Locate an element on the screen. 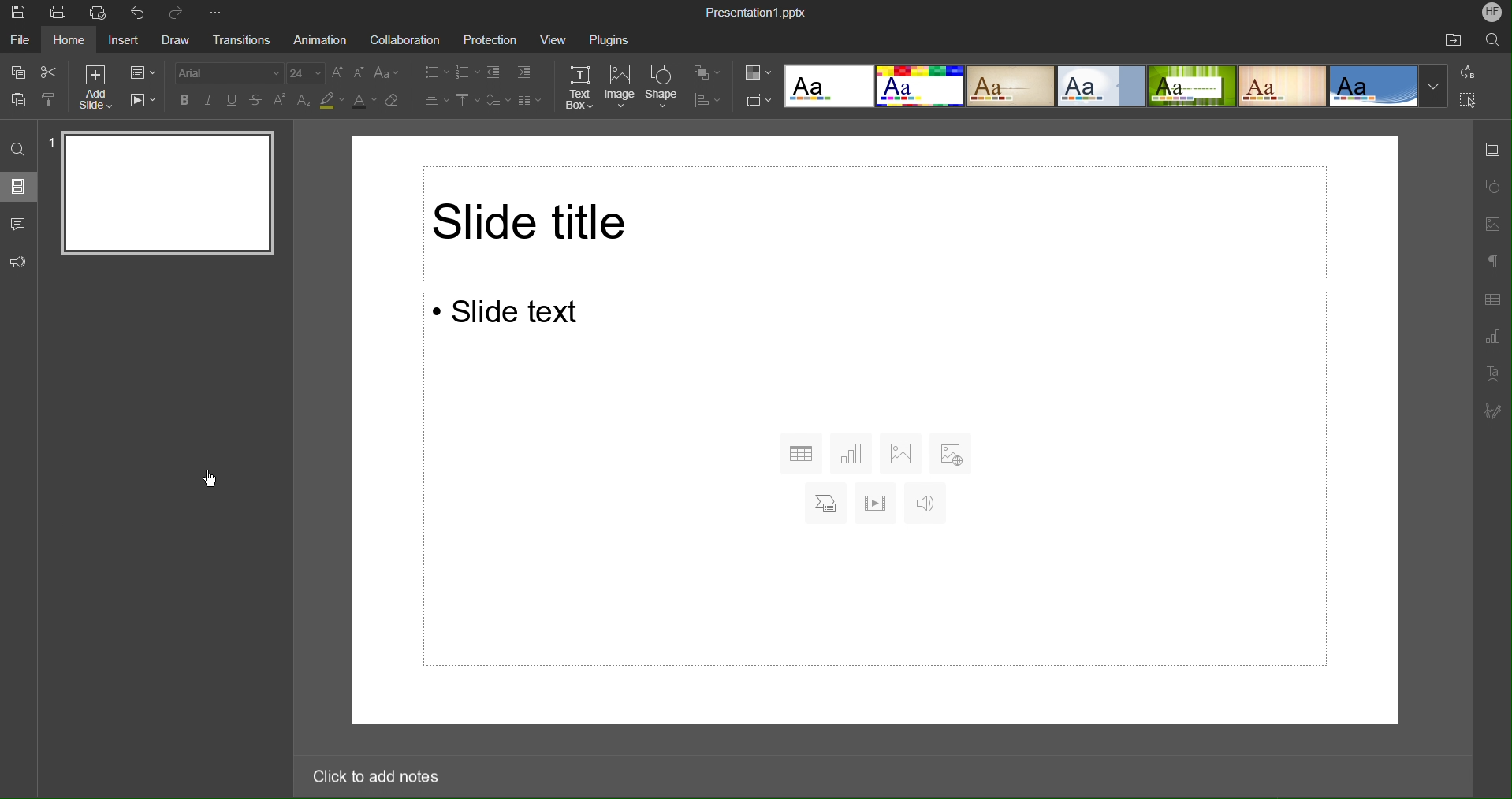 This screenshot has height=799, width=1512. Columns is located at coordinates (527, 98).